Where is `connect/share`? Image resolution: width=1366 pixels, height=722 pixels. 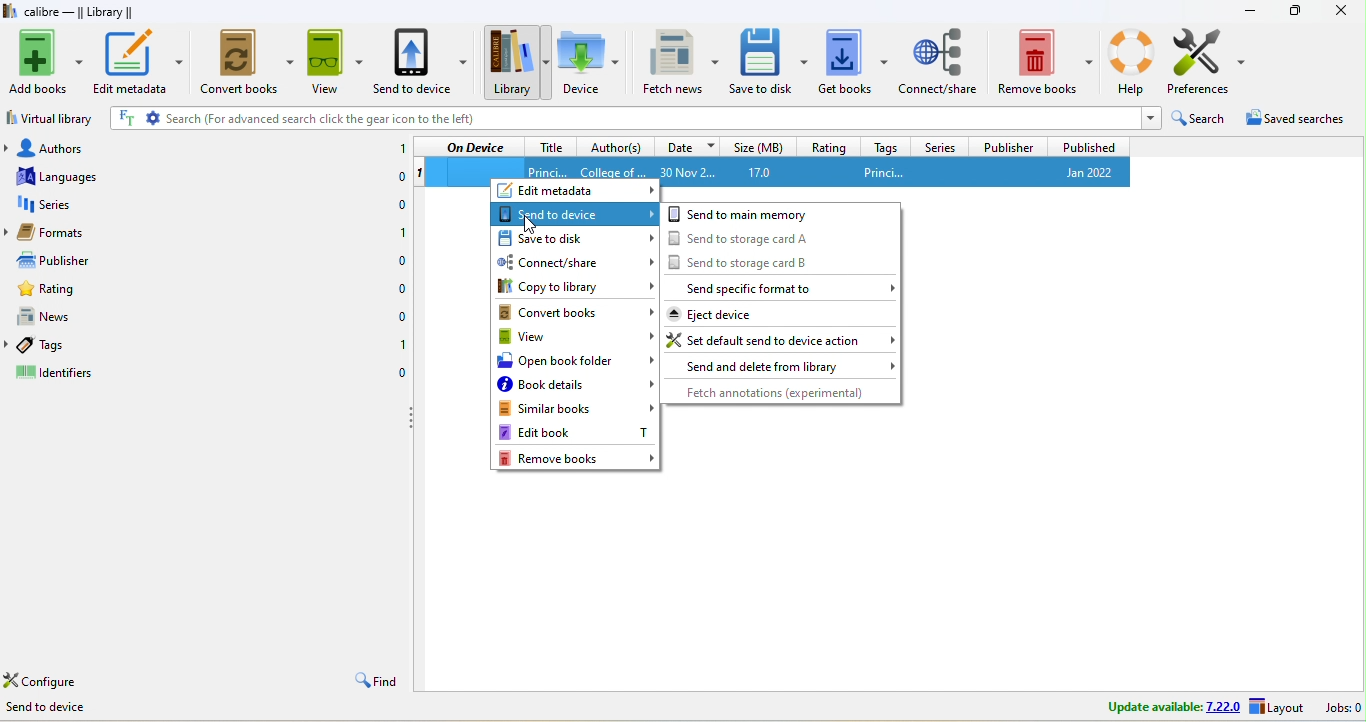 connect/share is located at coordinates (940, 59).